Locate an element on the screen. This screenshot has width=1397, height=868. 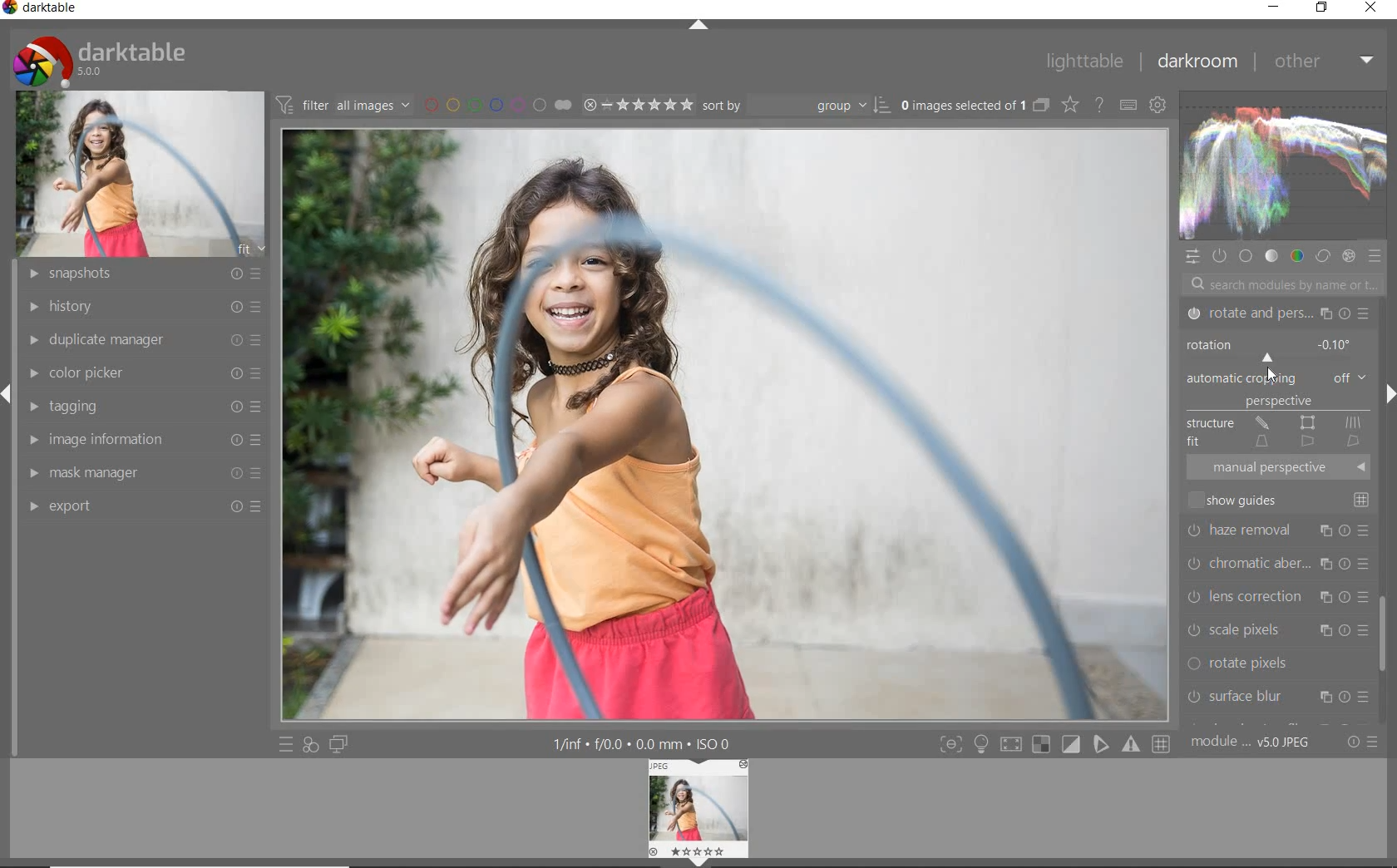
system name is located at coordinates (42, 10).